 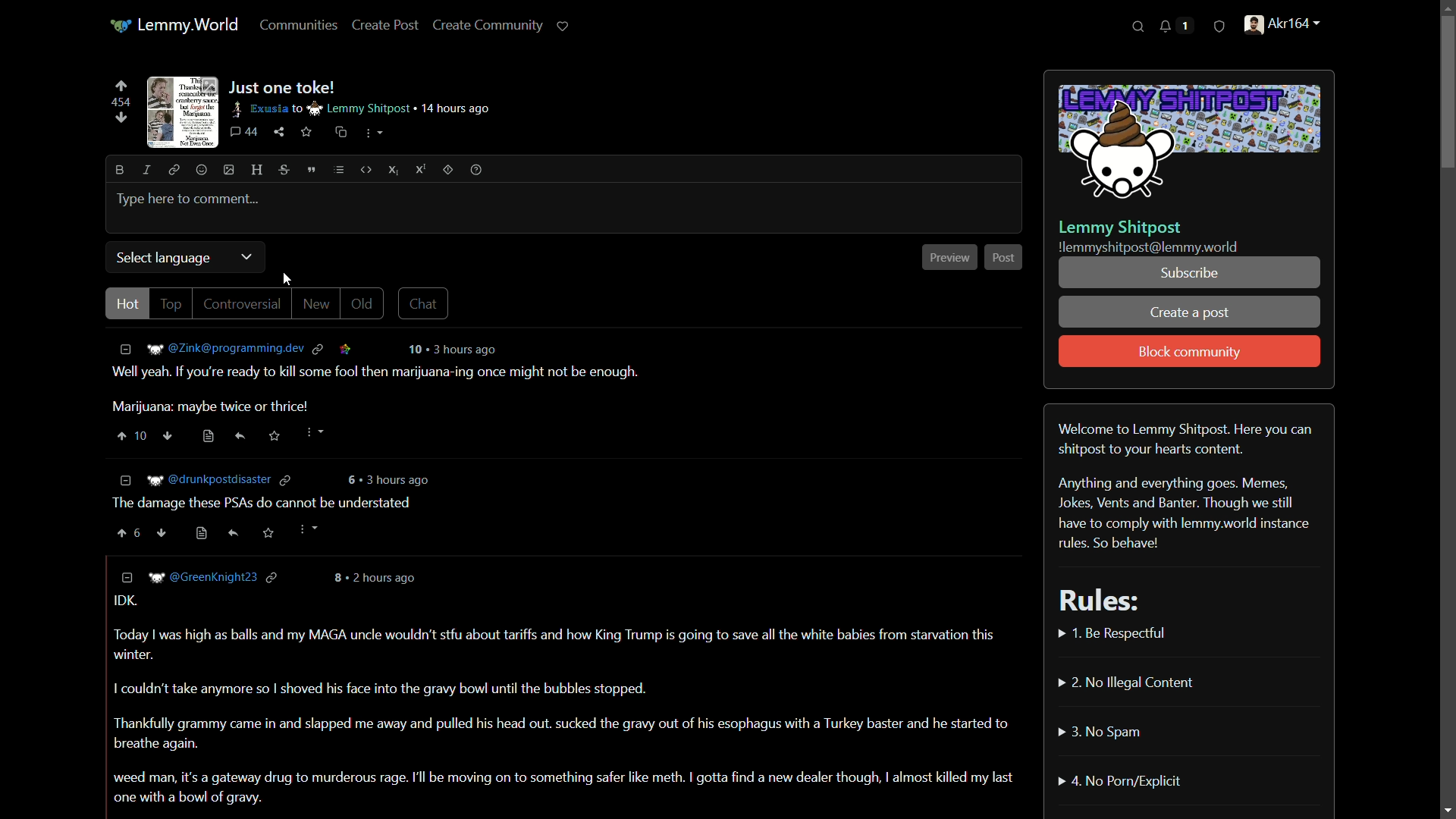 What do you see at coordinates (419, 171) in the screenshot?
I see `superscript` at bounding box center [419, 171].